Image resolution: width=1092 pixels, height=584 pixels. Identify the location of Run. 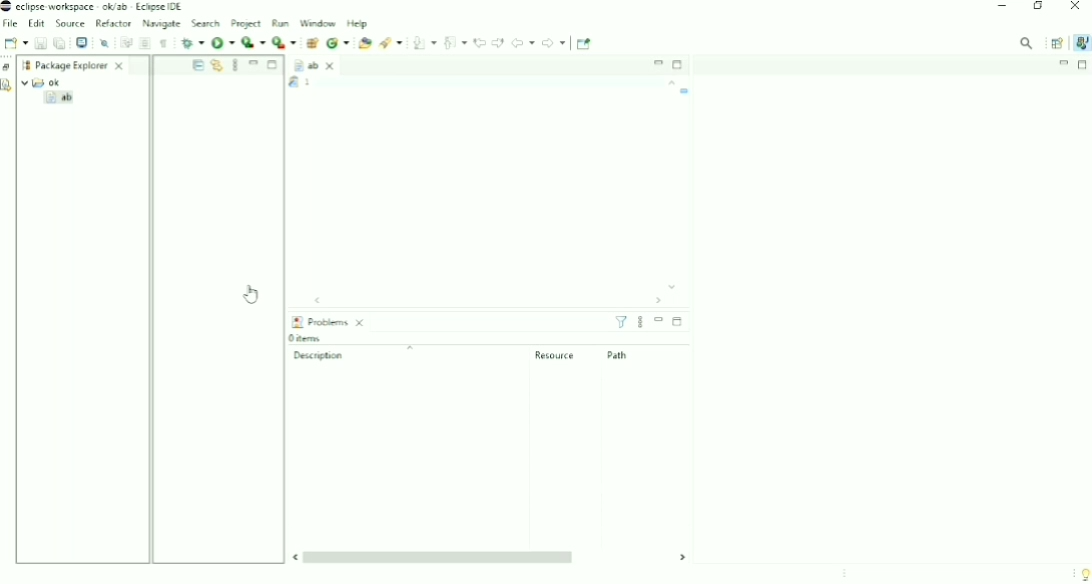
(279, 23).